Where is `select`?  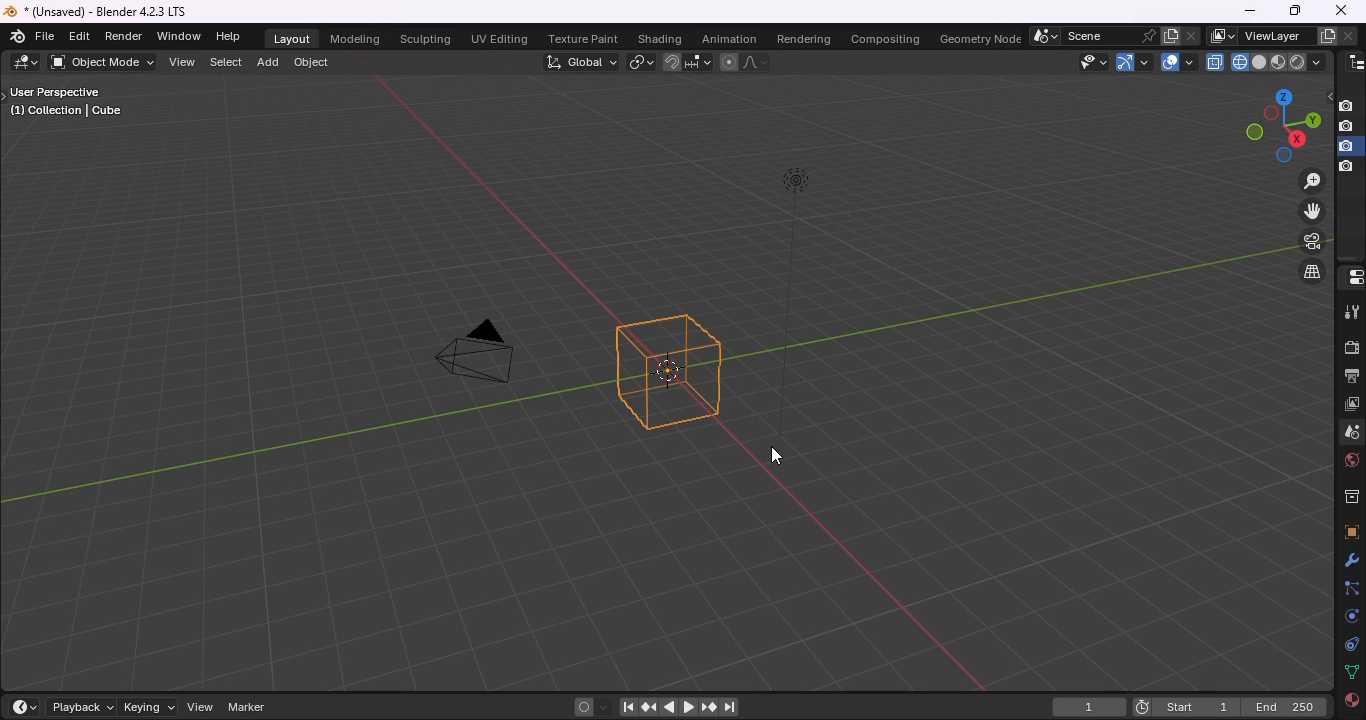 select is located at coordinates (227, 63).